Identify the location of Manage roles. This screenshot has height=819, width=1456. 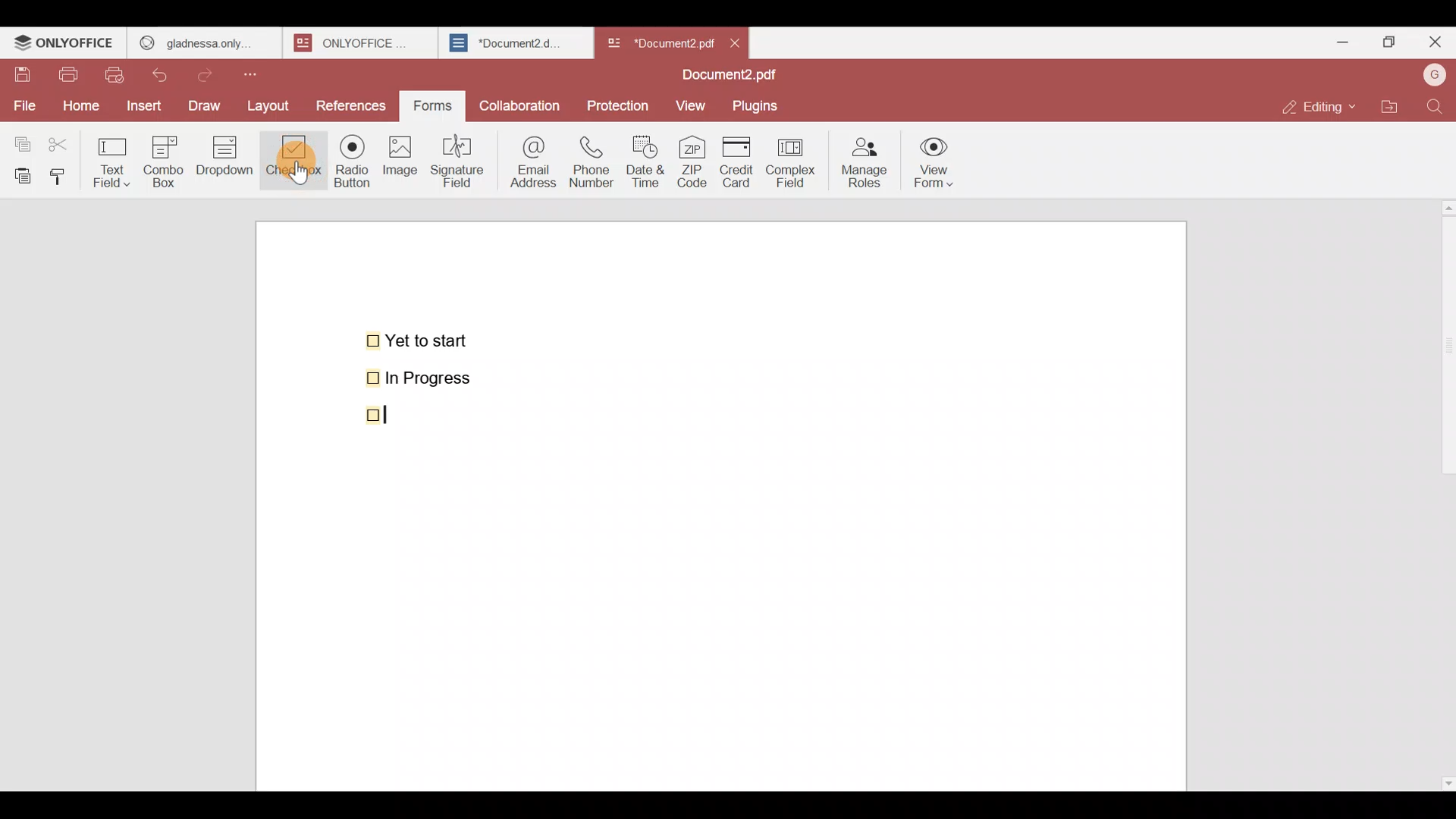
(864, 158).